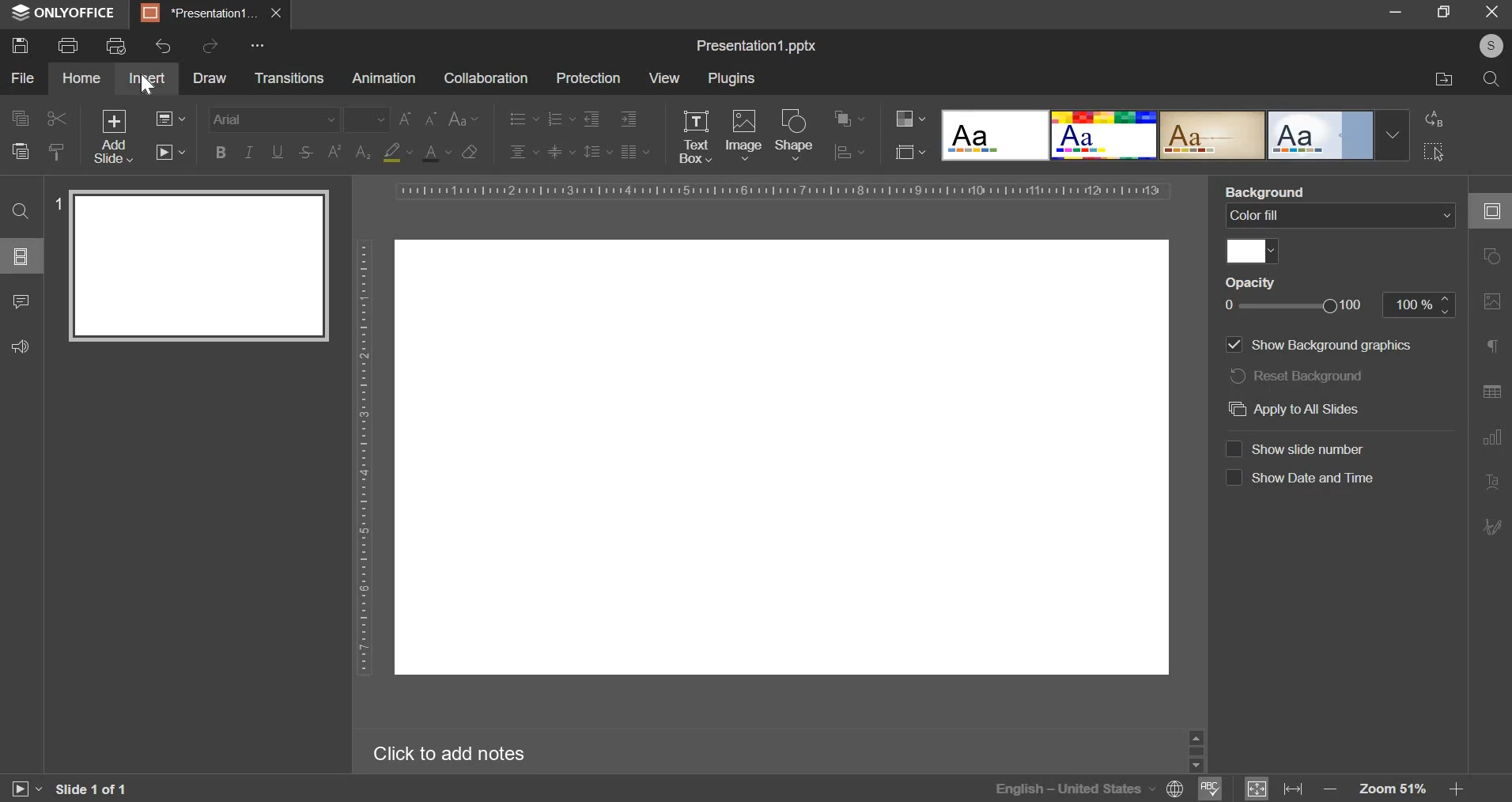  Describe the element at coordinates (694, 137) in the screenshot. I see `text box` at that location.